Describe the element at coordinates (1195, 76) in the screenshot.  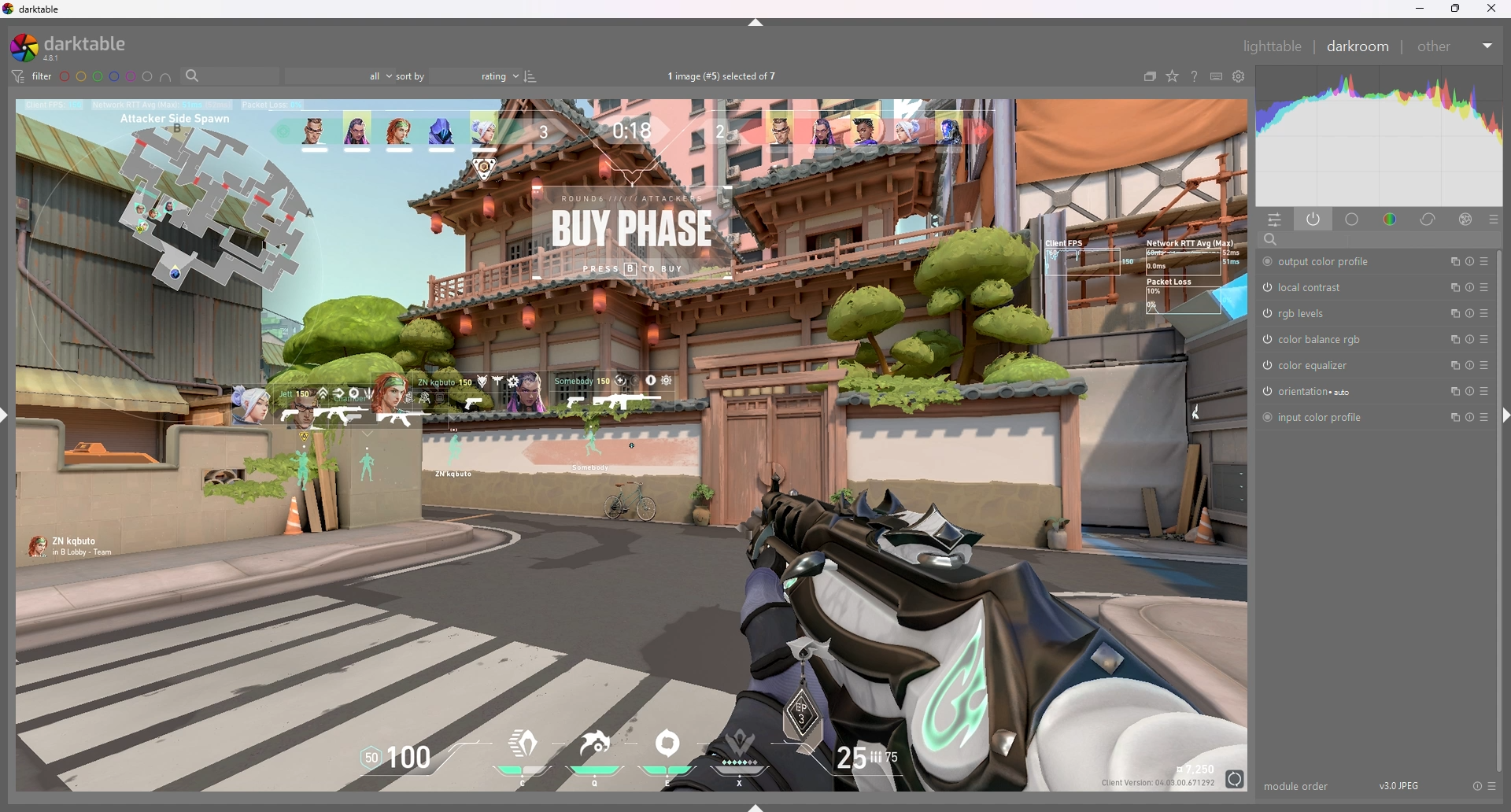
I see `online help` at that location.